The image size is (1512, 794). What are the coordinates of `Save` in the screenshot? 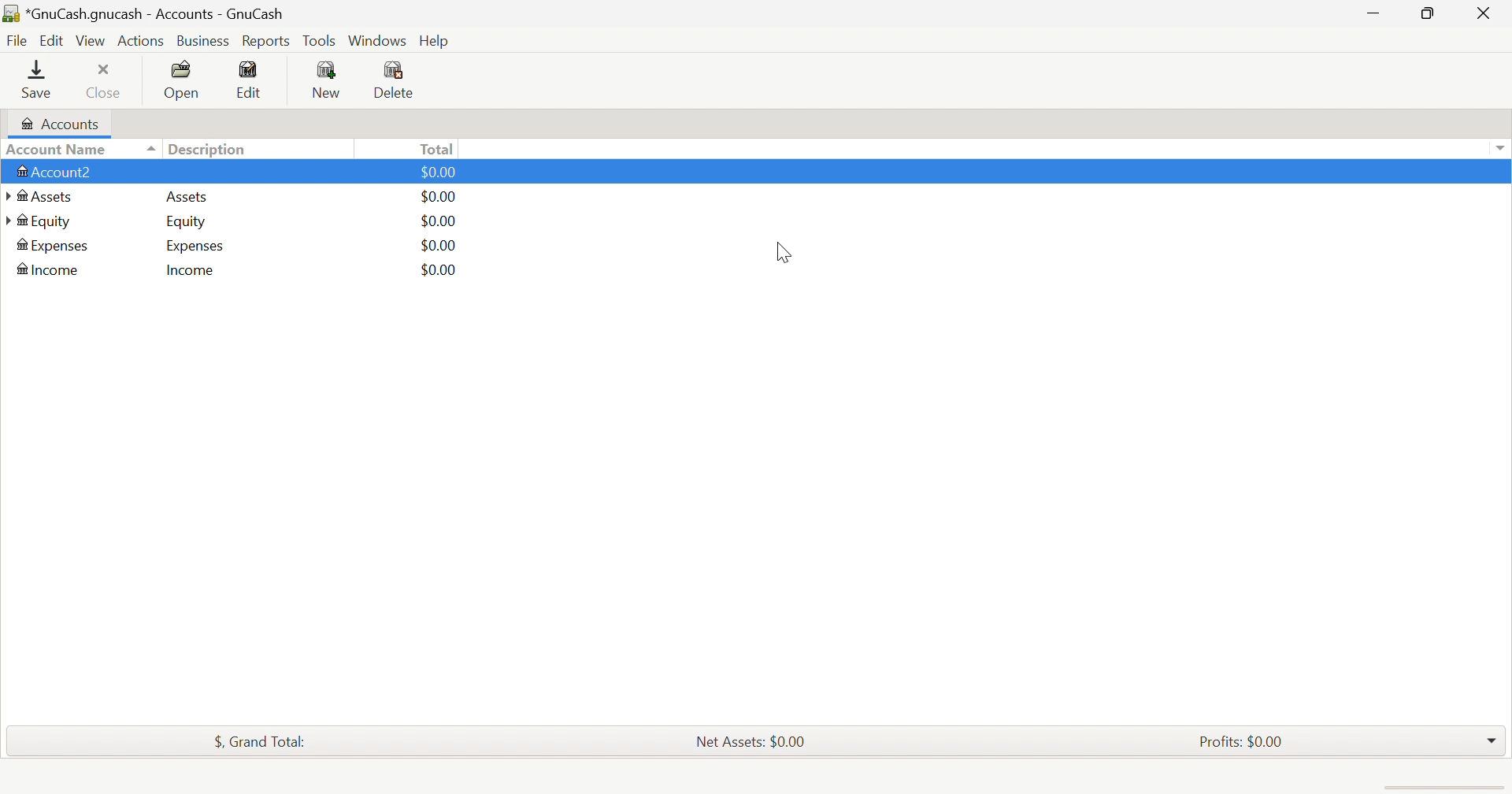 It's located at (42, 80).